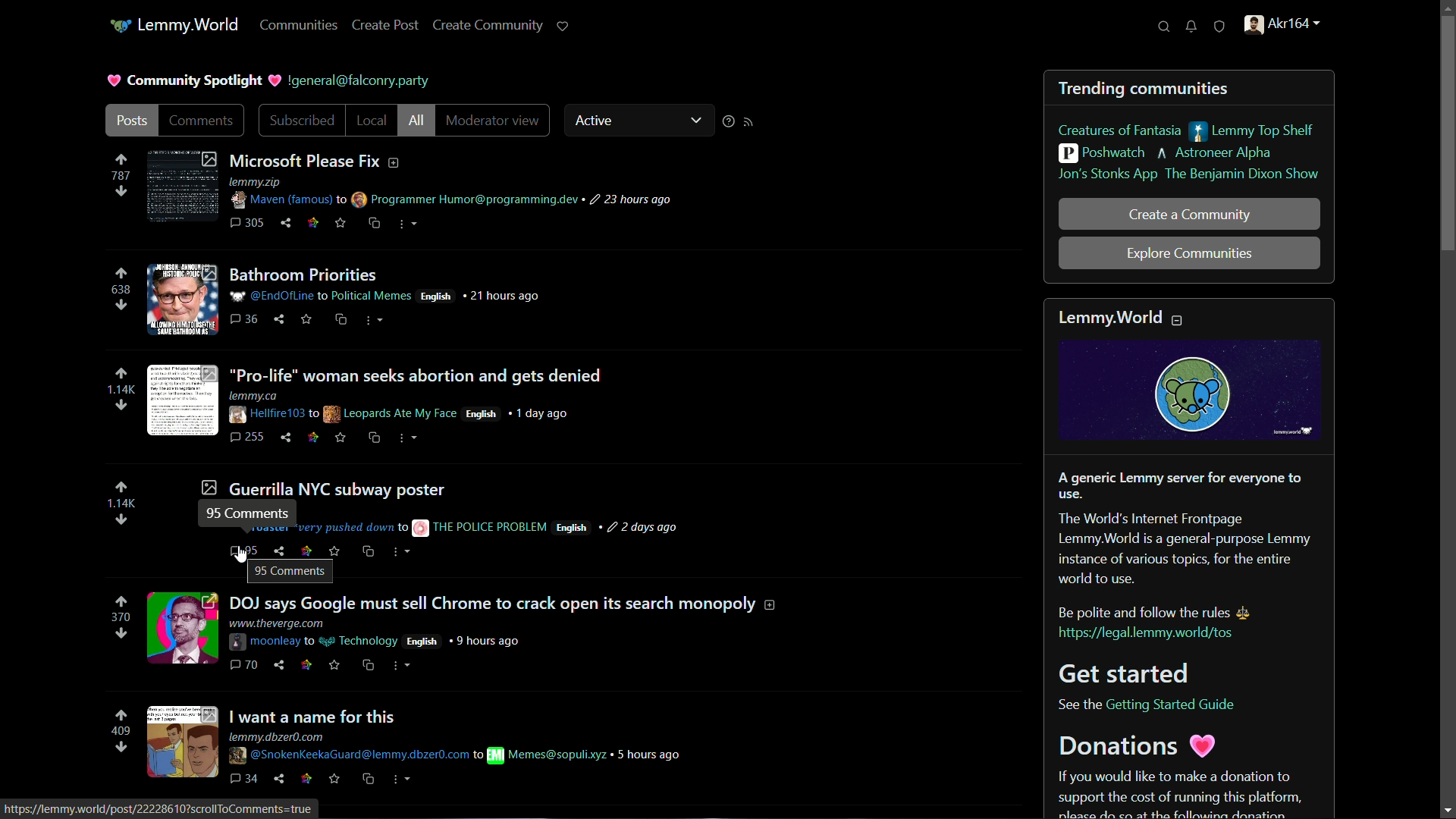  I want to click on English, so click(482, 414).